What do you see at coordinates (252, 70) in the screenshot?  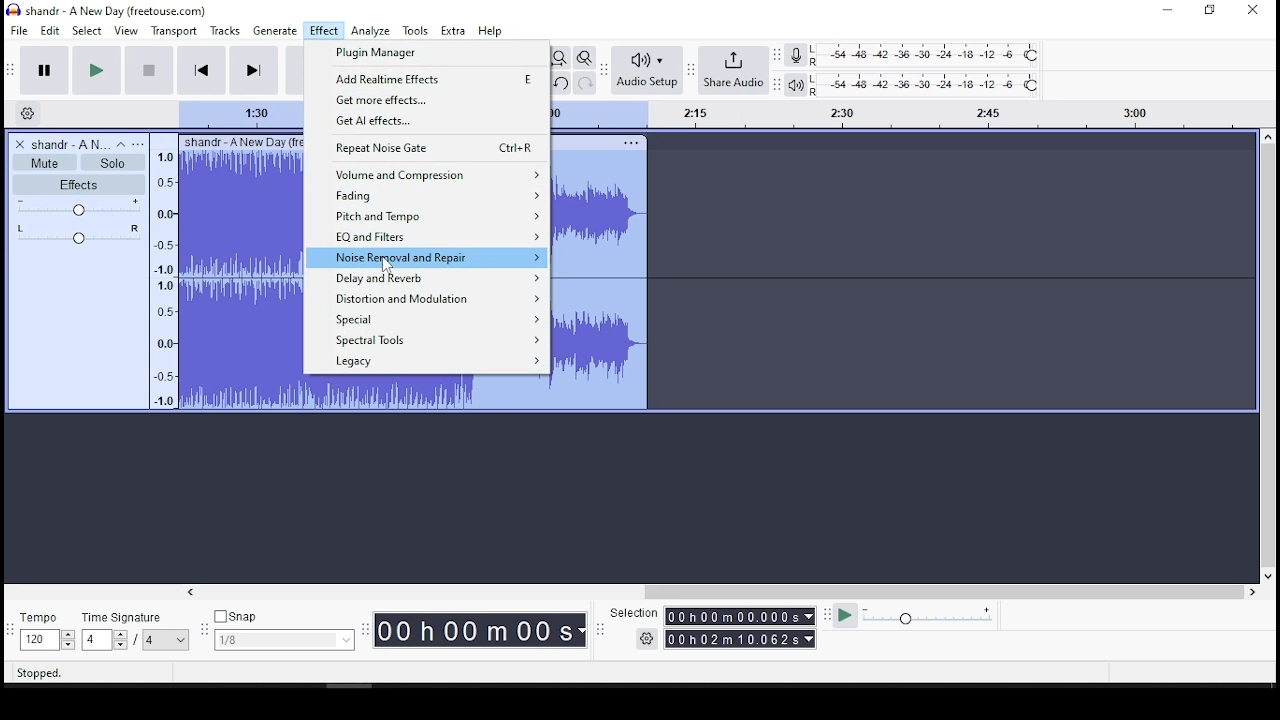 I see `skip to end` at bounding box center [252, 70].